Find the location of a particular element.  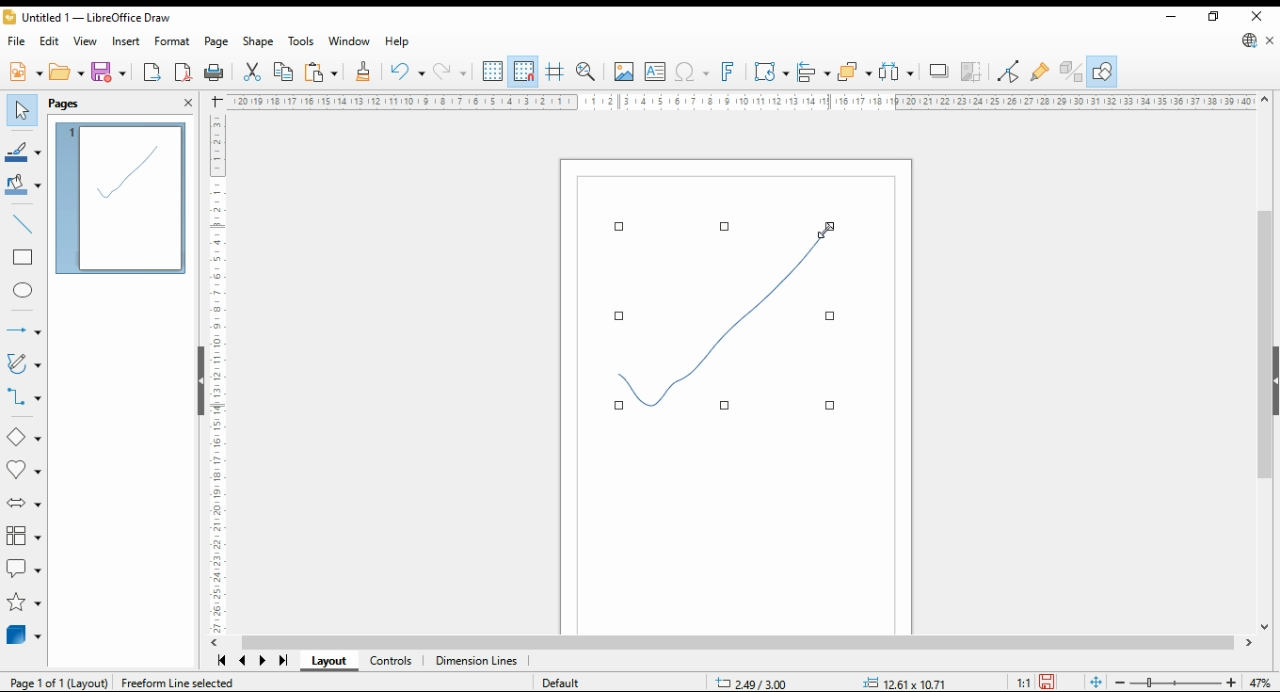

line color is located at coordinates (24, 151).